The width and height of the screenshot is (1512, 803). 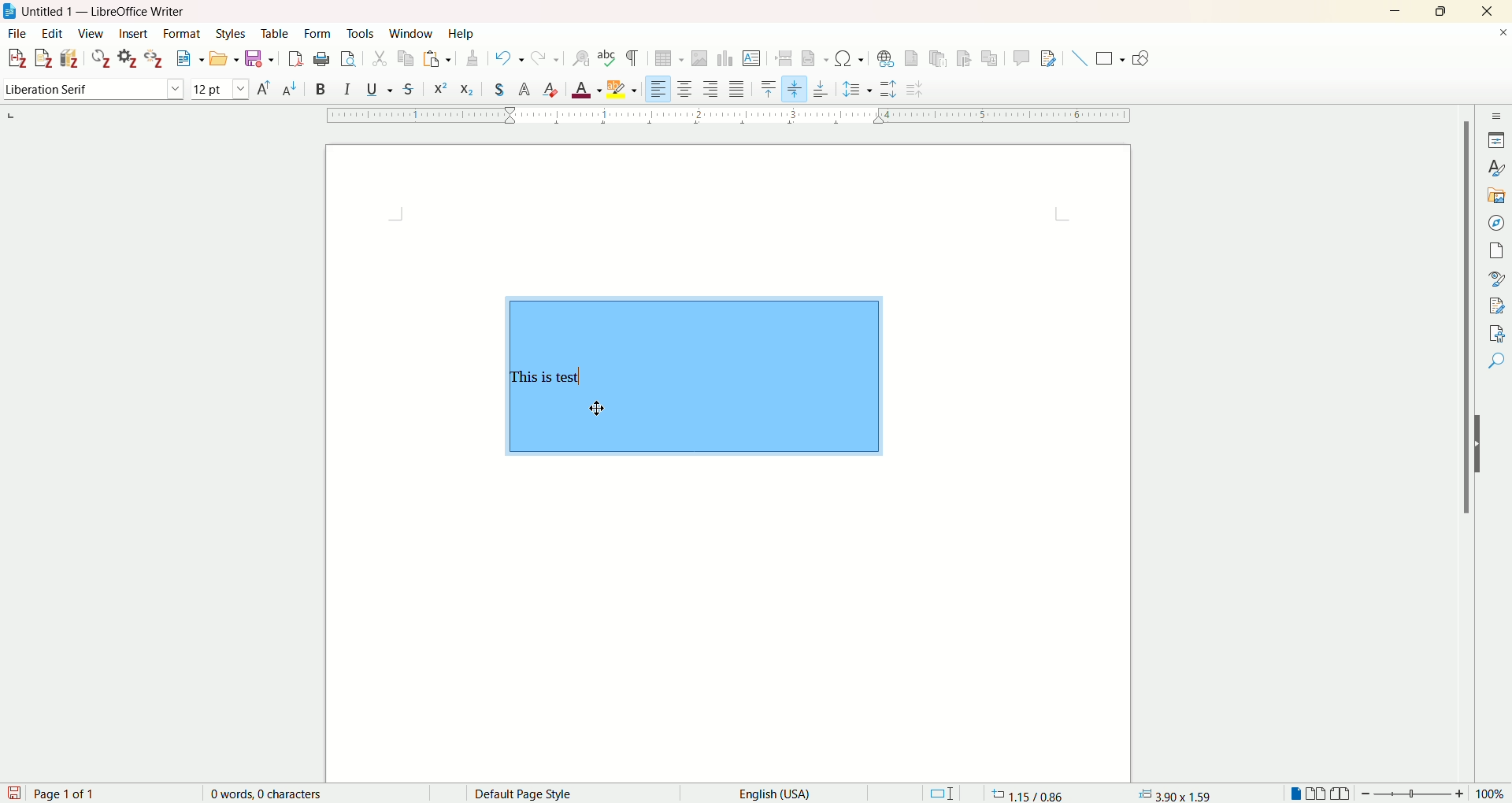 I want to click on document preferences, so click(x=127, y=57).